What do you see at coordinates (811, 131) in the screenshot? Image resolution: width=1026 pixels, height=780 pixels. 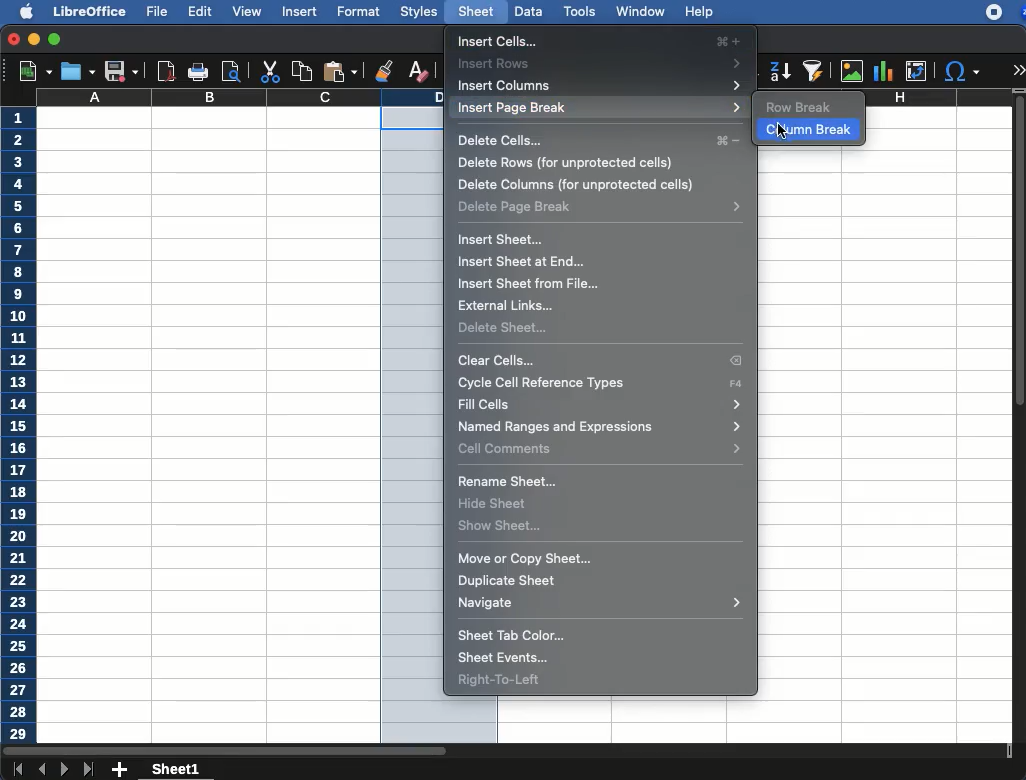 I see `column break` at bounding box center [811, 131].